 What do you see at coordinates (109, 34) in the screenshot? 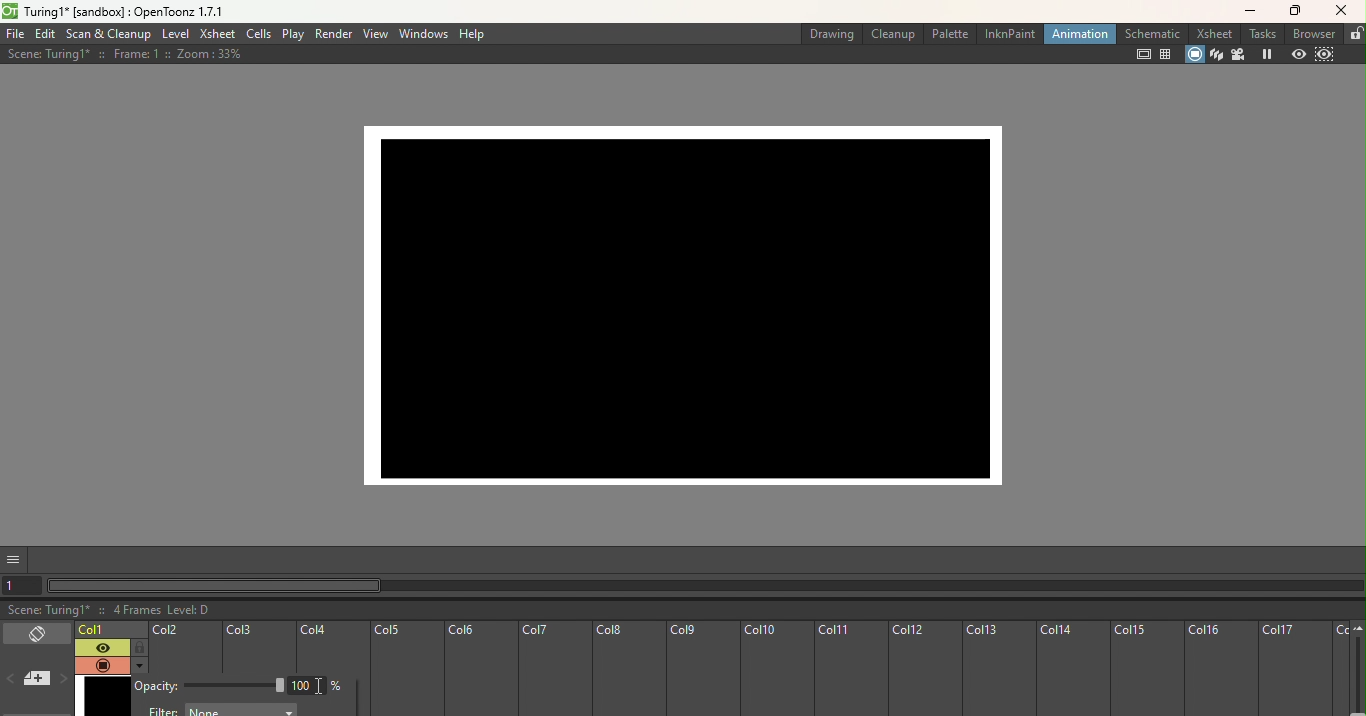
I see `Scan & Cleanup` at bounding box center [109, 34].